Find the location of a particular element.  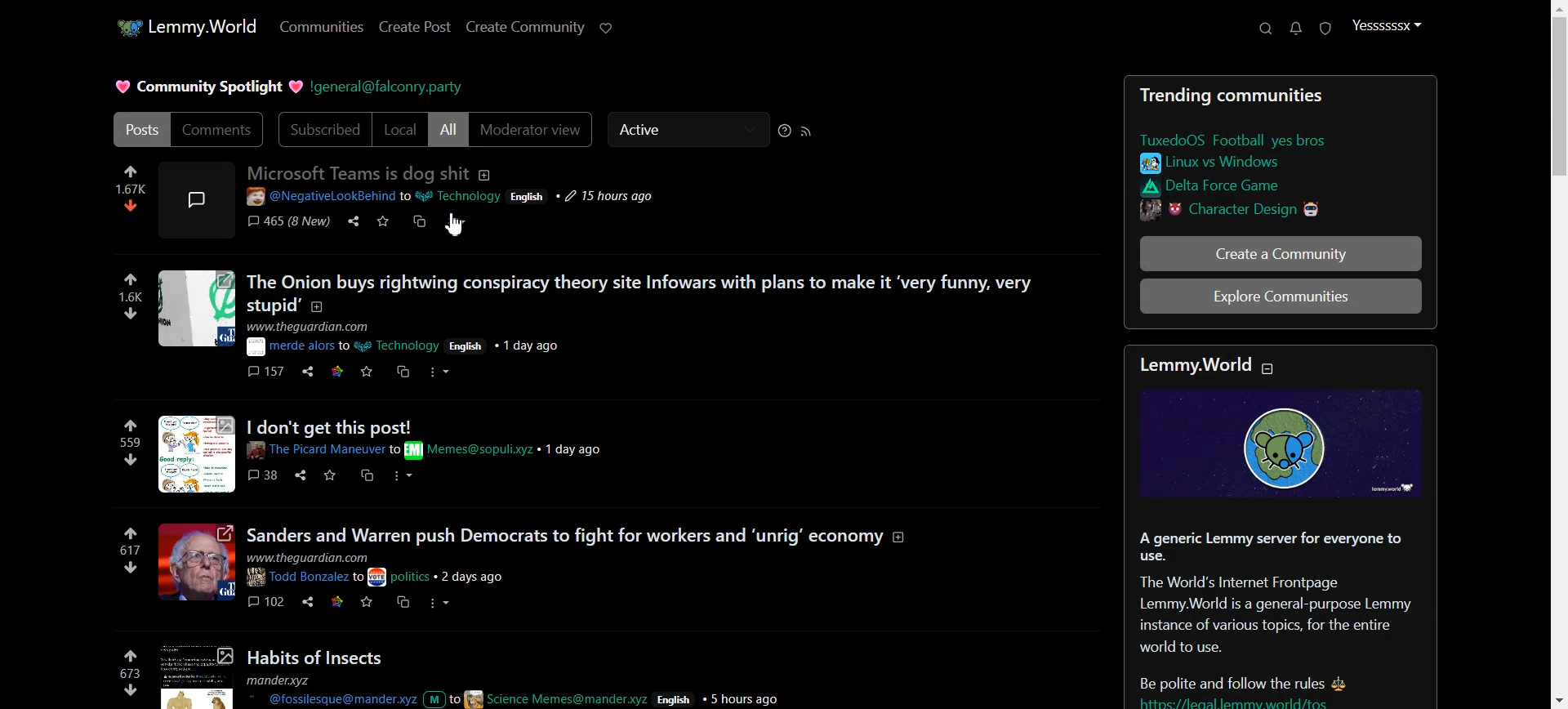

save is located at coordinates (331, 476).